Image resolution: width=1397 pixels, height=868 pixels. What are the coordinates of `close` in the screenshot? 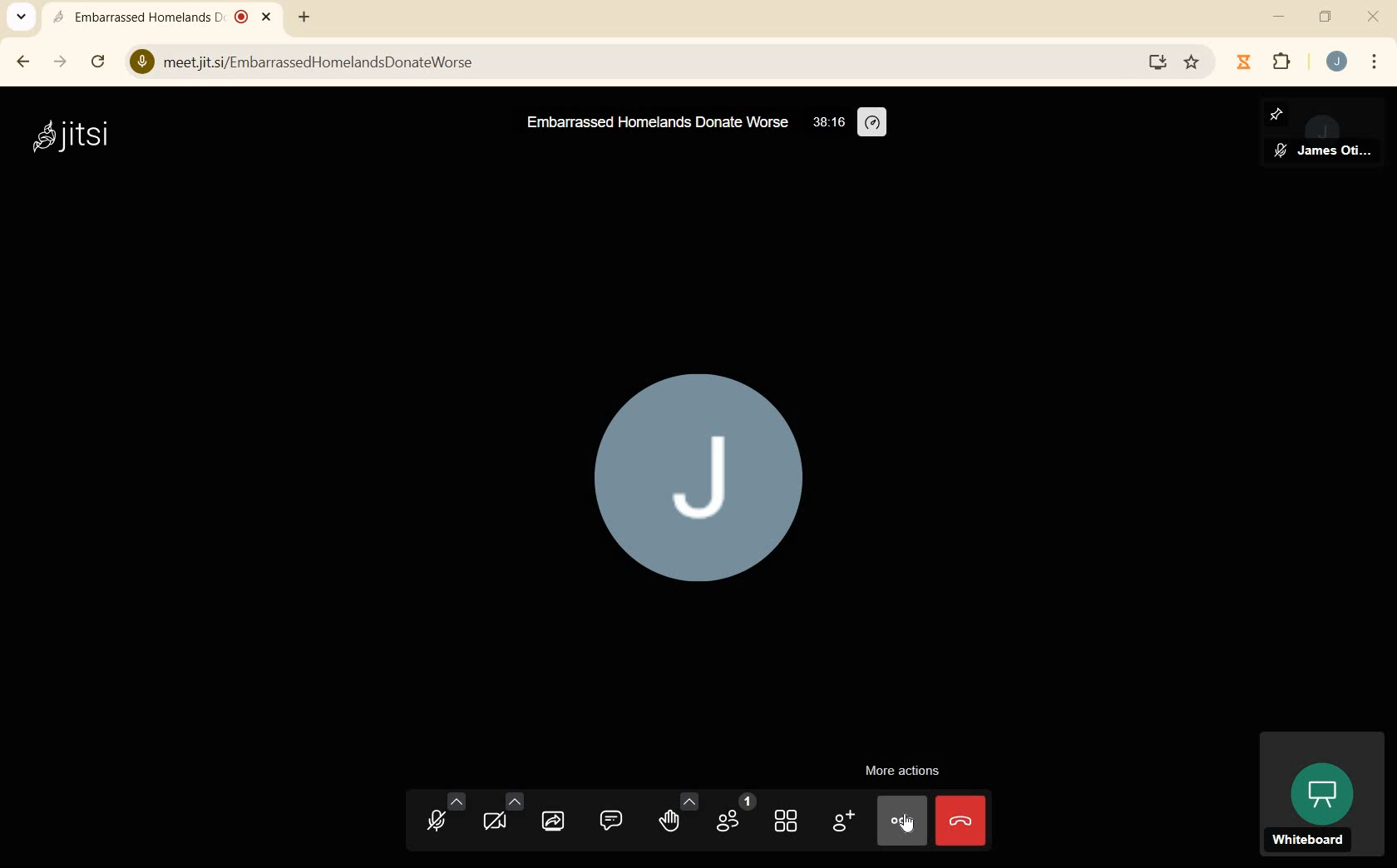 It's located at (1373, 18).